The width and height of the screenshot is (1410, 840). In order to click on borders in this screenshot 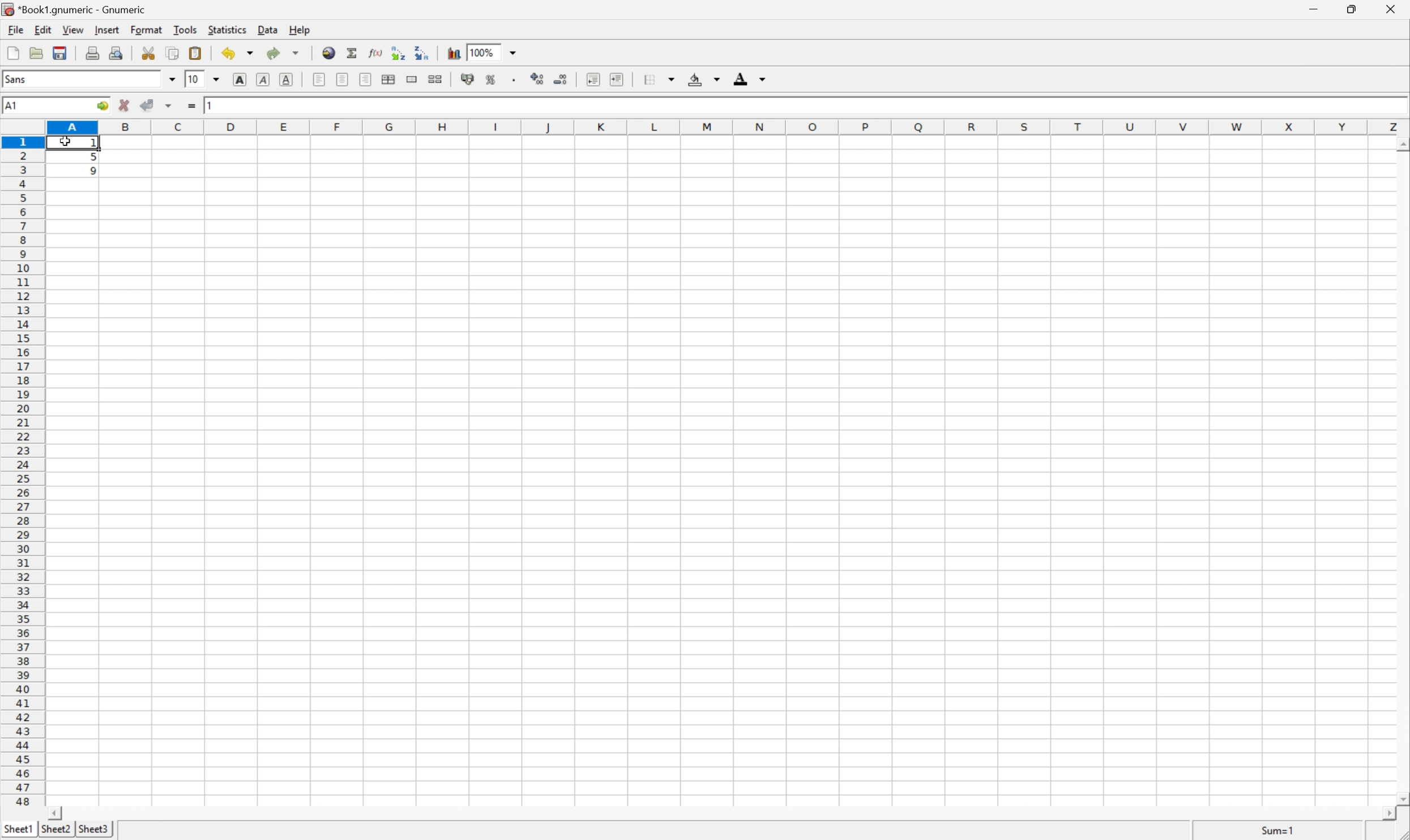, I will do `click(657, 79)`.